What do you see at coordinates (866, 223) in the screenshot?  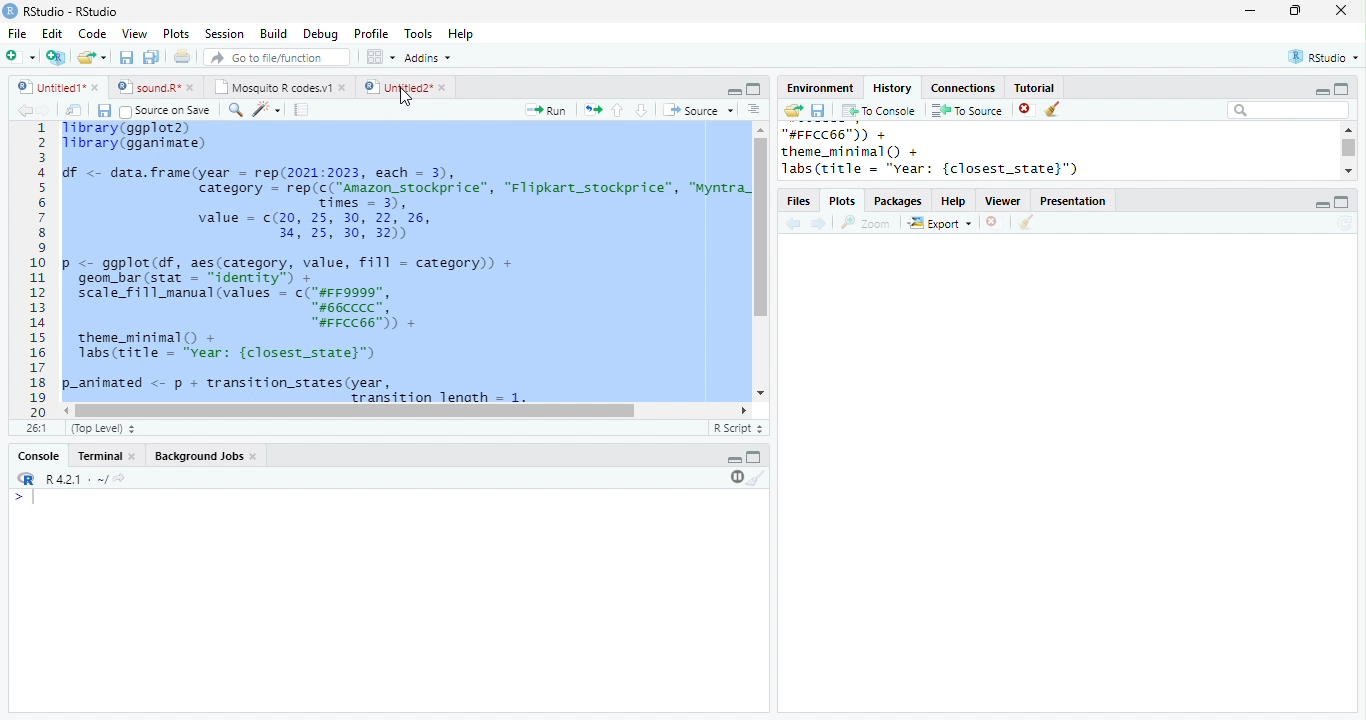 I see `Zoom` at bounding box center [866, 223].